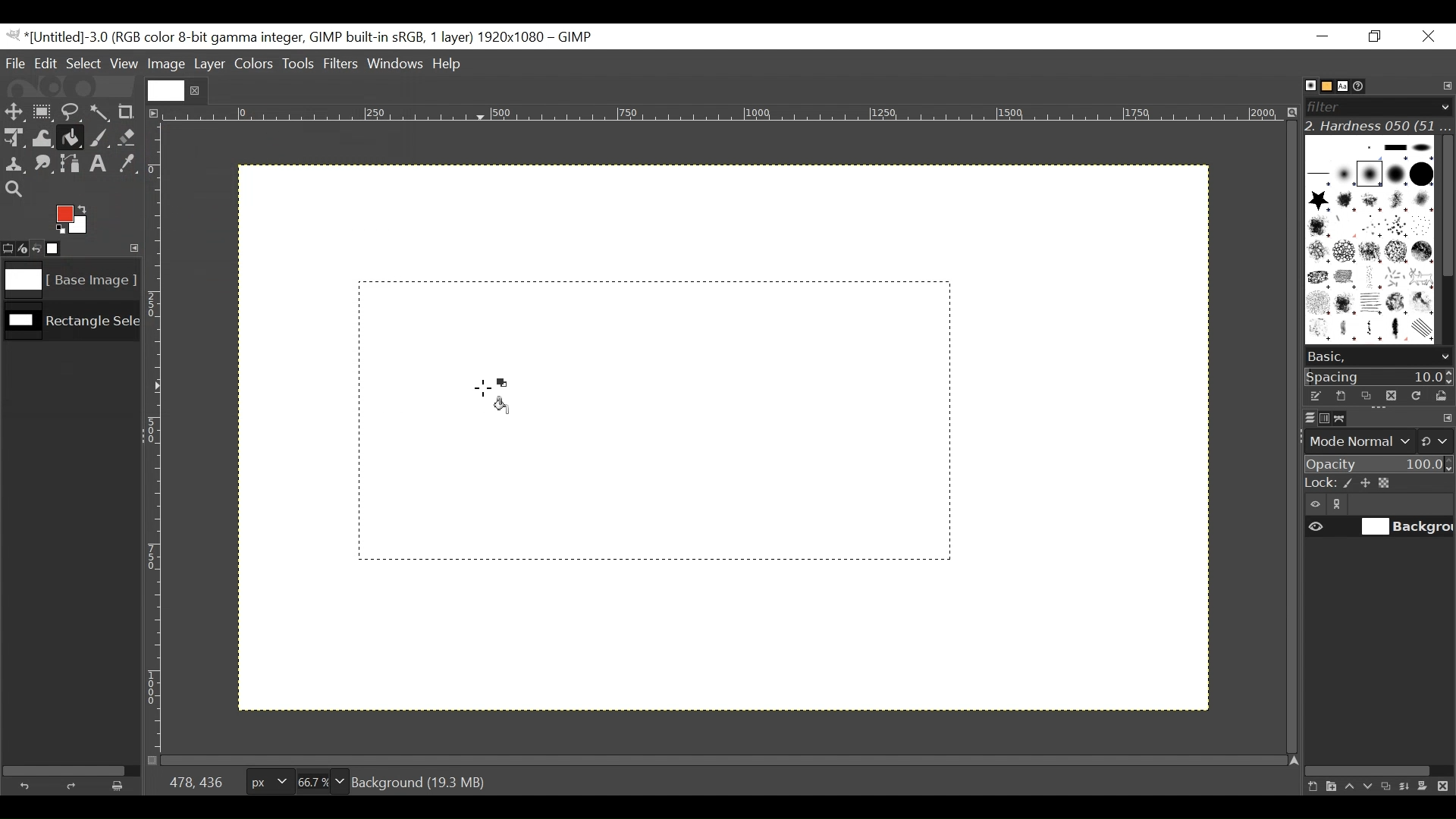  Describe the element at coordinates (197, 90) in the screenshot. I see `close` at that location.